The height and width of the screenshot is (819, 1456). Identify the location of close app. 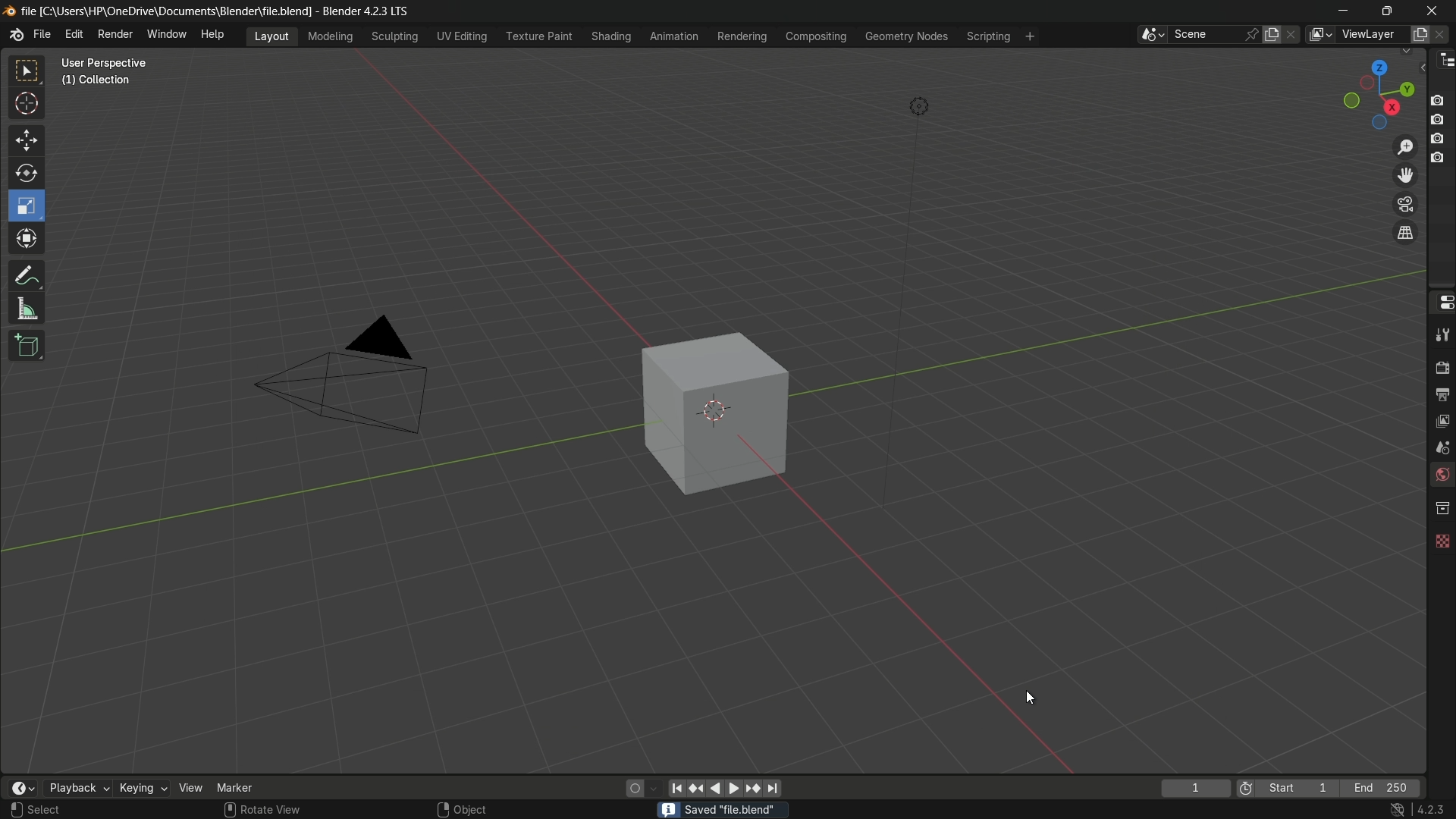
(1432, 10).